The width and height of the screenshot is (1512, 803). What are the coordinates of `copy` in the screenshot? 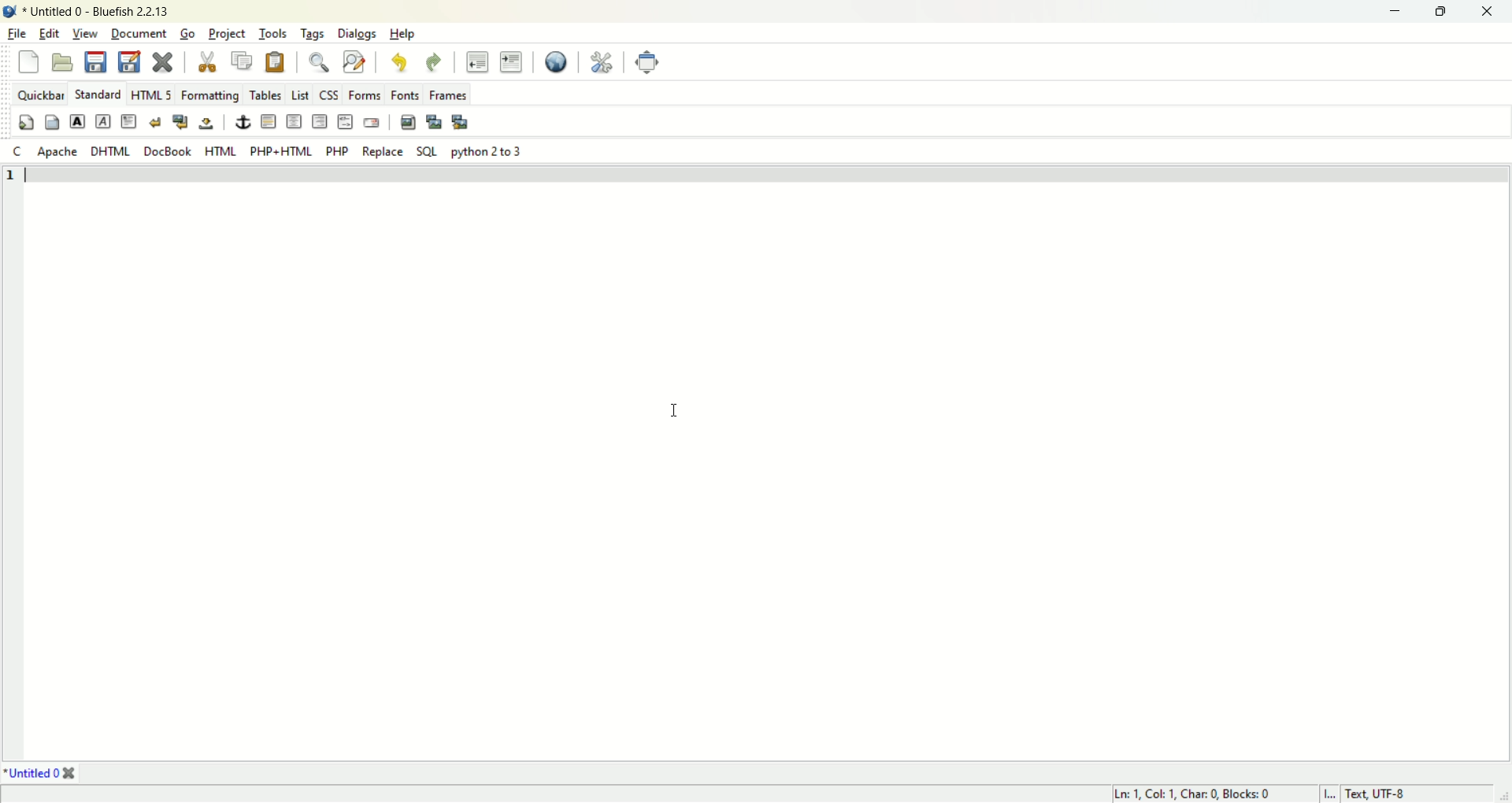 It's located at (243, 61).